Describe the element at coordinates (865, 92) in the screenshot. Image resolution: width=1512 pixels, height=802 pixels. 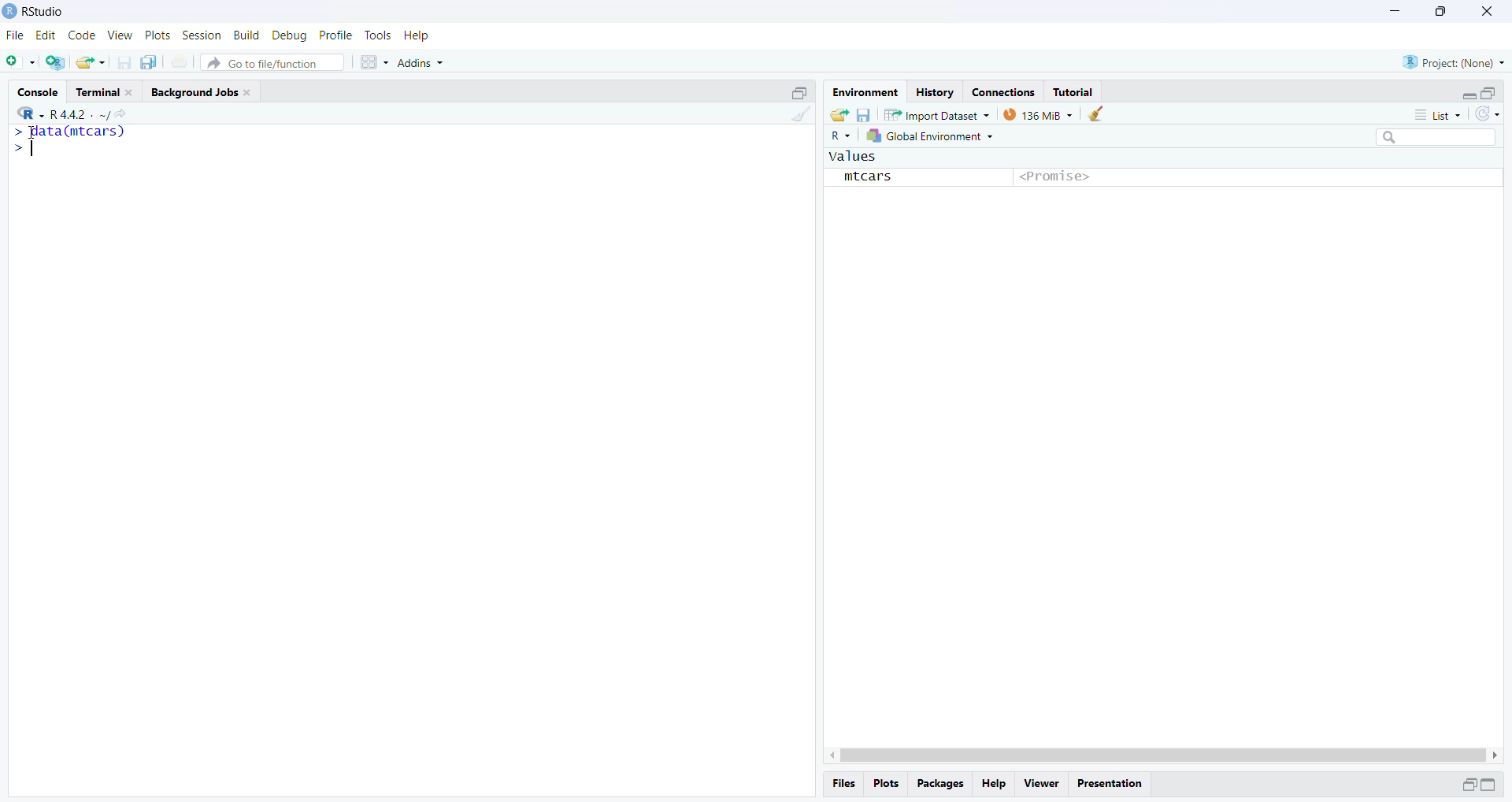
I see `Environment` at that location.